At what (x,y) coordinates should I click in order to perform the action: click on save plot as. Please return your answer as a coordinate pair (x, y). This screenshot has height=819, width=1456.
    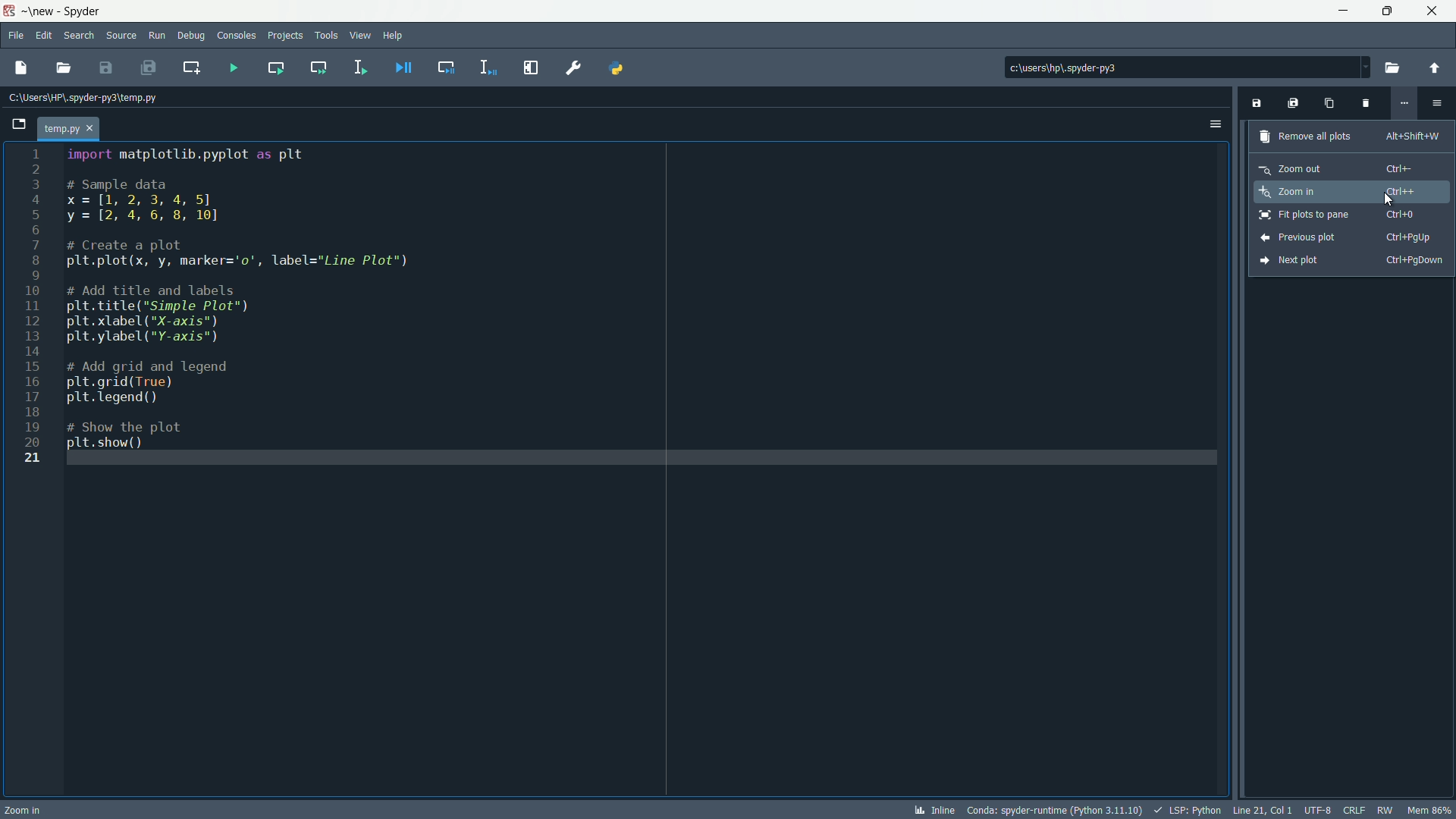
    Looking at the image, I should click on (1255, 103).